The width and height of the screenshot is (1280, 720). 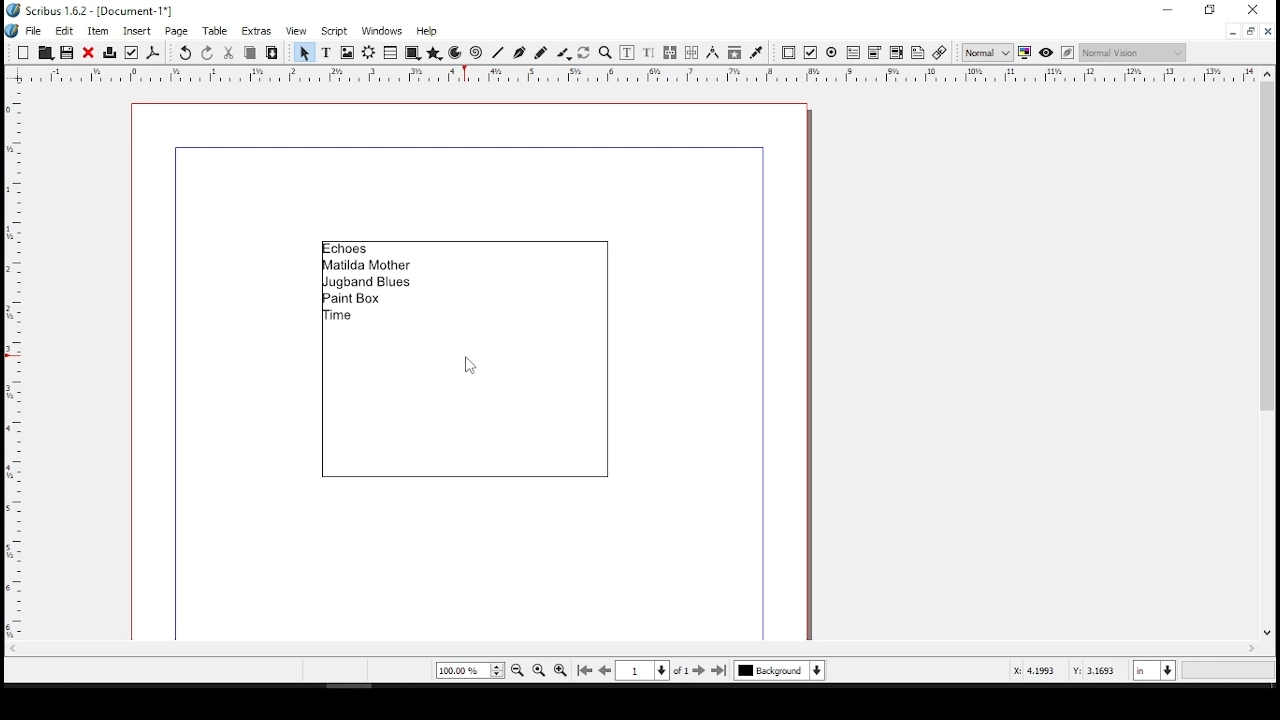 What do you see at coordinates (832, 53) in the screenshot?
I see `PDF radio button` at bounding box center [832, 53].